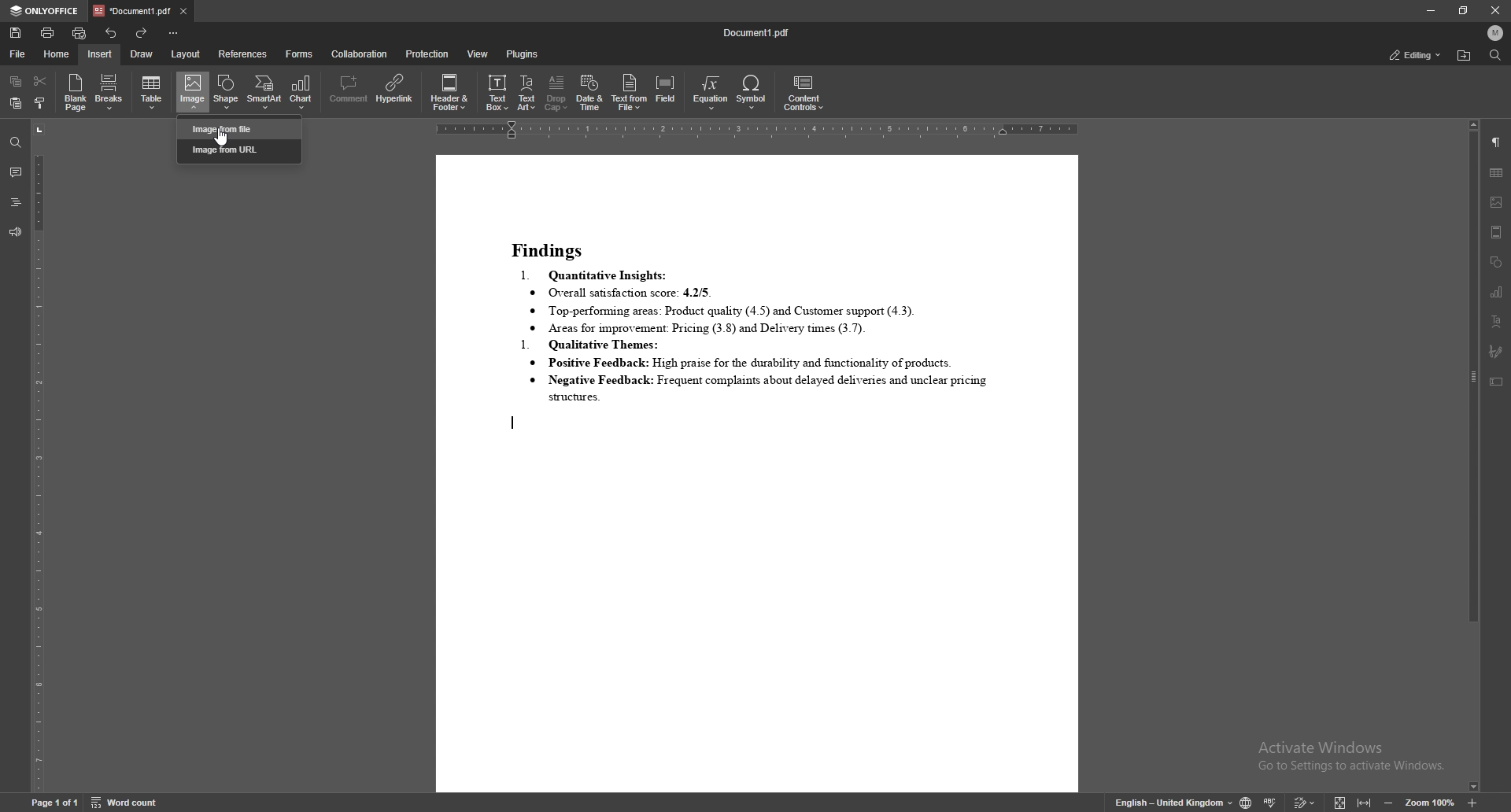  Describe the element at coordinates (80, 32) in the screenshot. I see `quick print` at that location.